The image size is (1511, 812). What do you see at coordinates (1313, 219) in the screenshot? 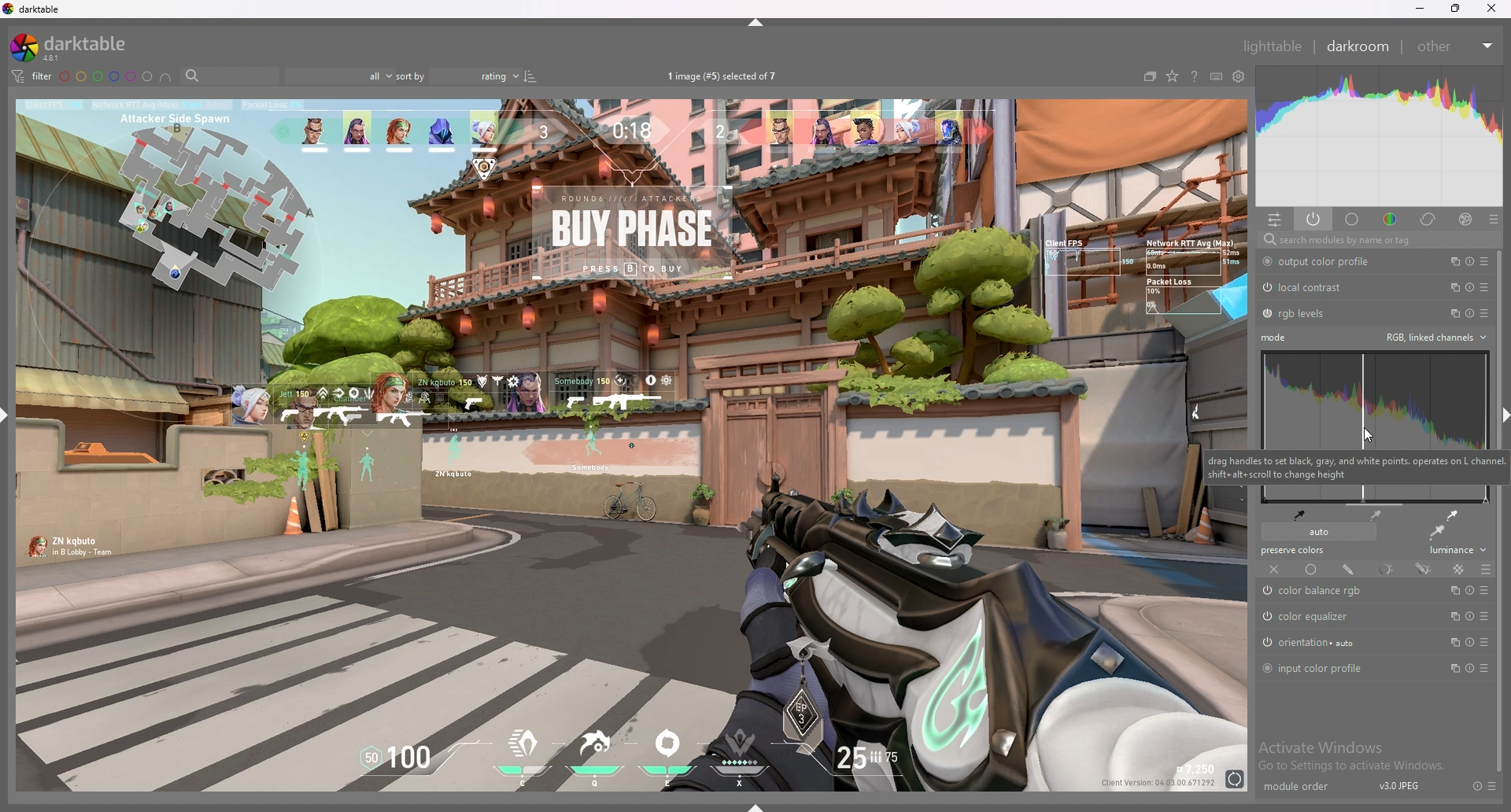
I see `show active modules` at bounding box center [1313, 219].